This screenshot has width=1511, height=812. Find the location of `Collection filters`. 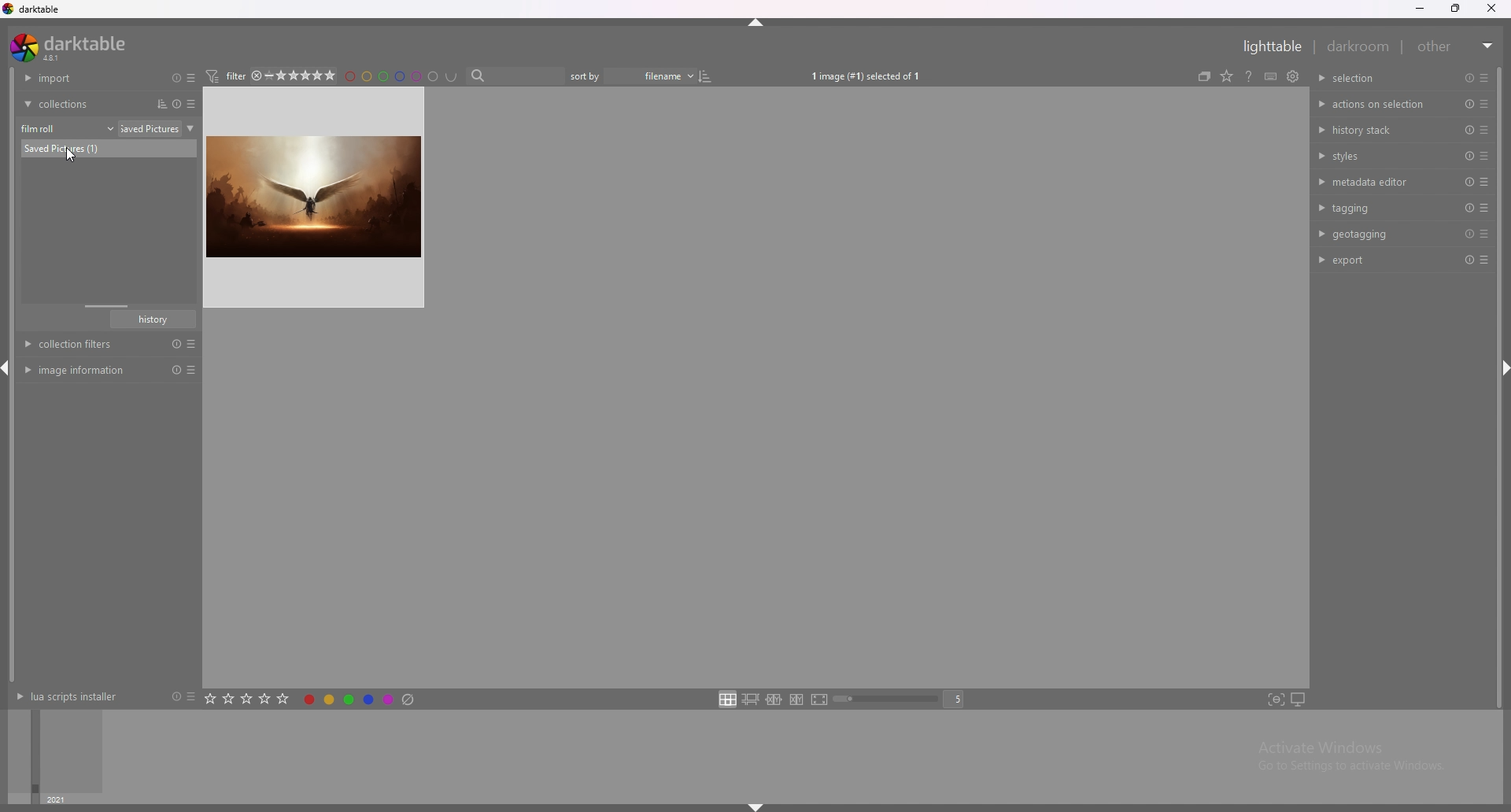

Collection filters is located at coordinates (112, 345).